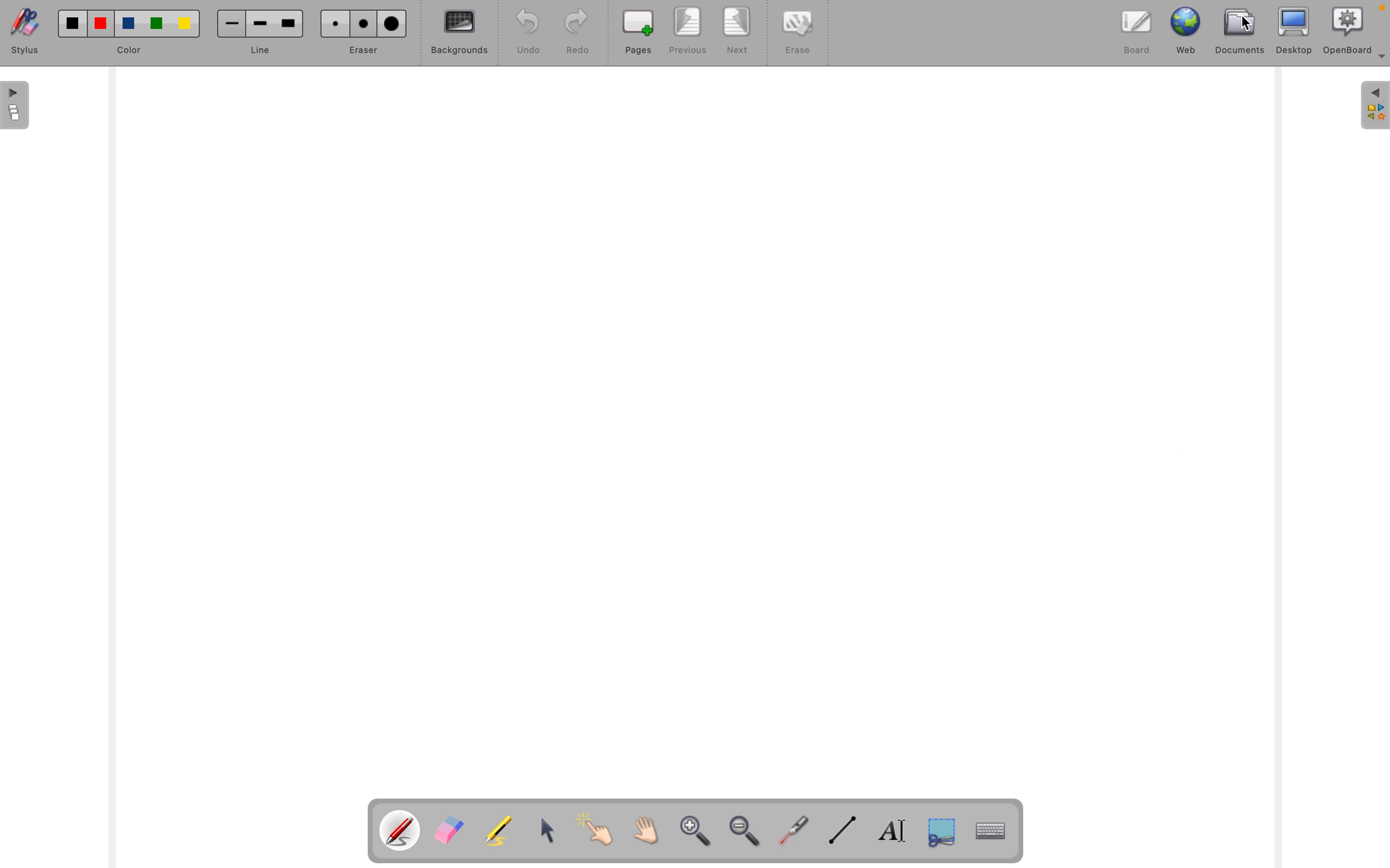  What do you see at coordinates (691, 33) in the screenshot?
I see `previous` at bounding box center [691, 33].